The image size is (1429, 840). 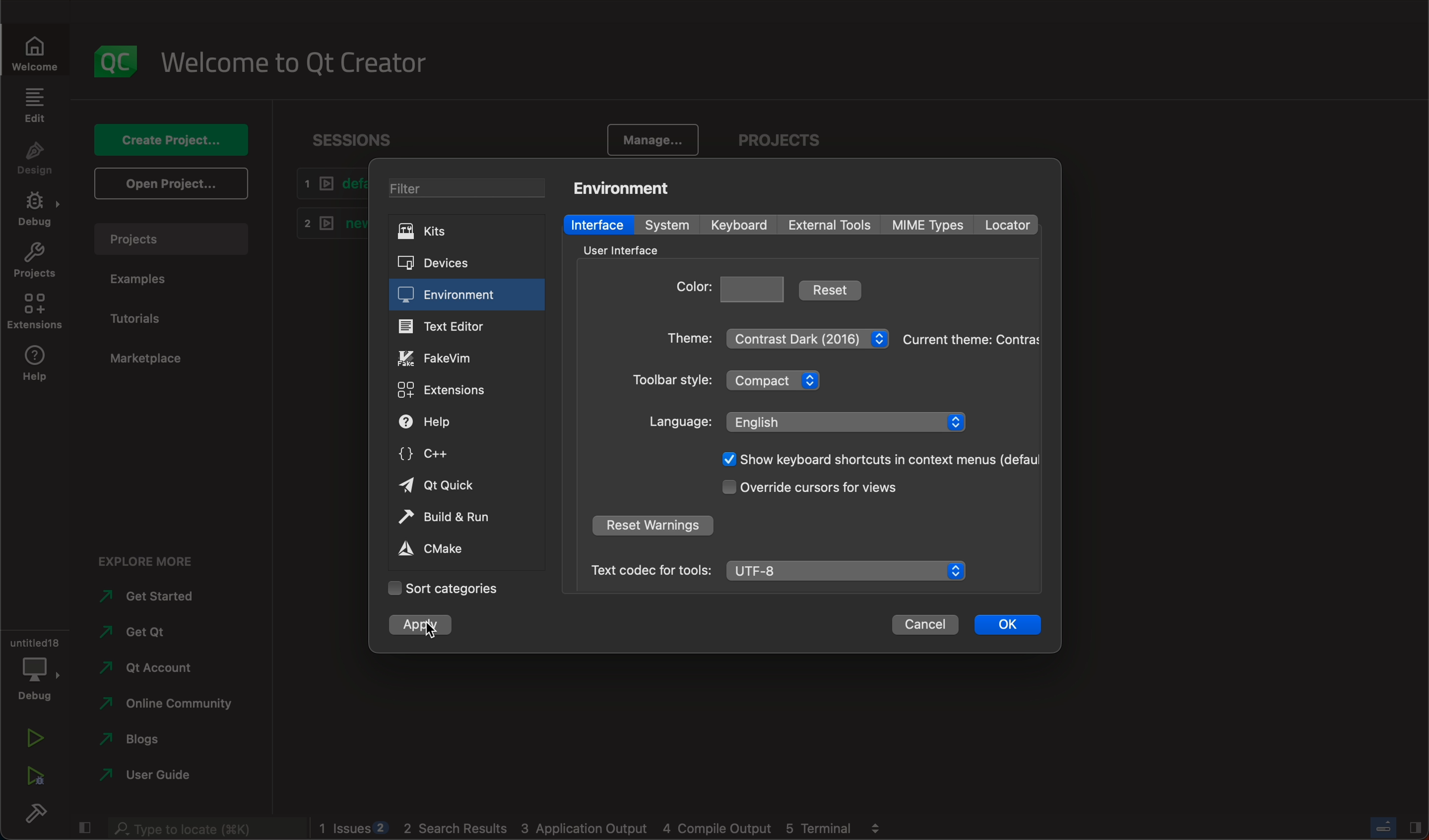 I want to click on reset, so click(x=834, y=289).